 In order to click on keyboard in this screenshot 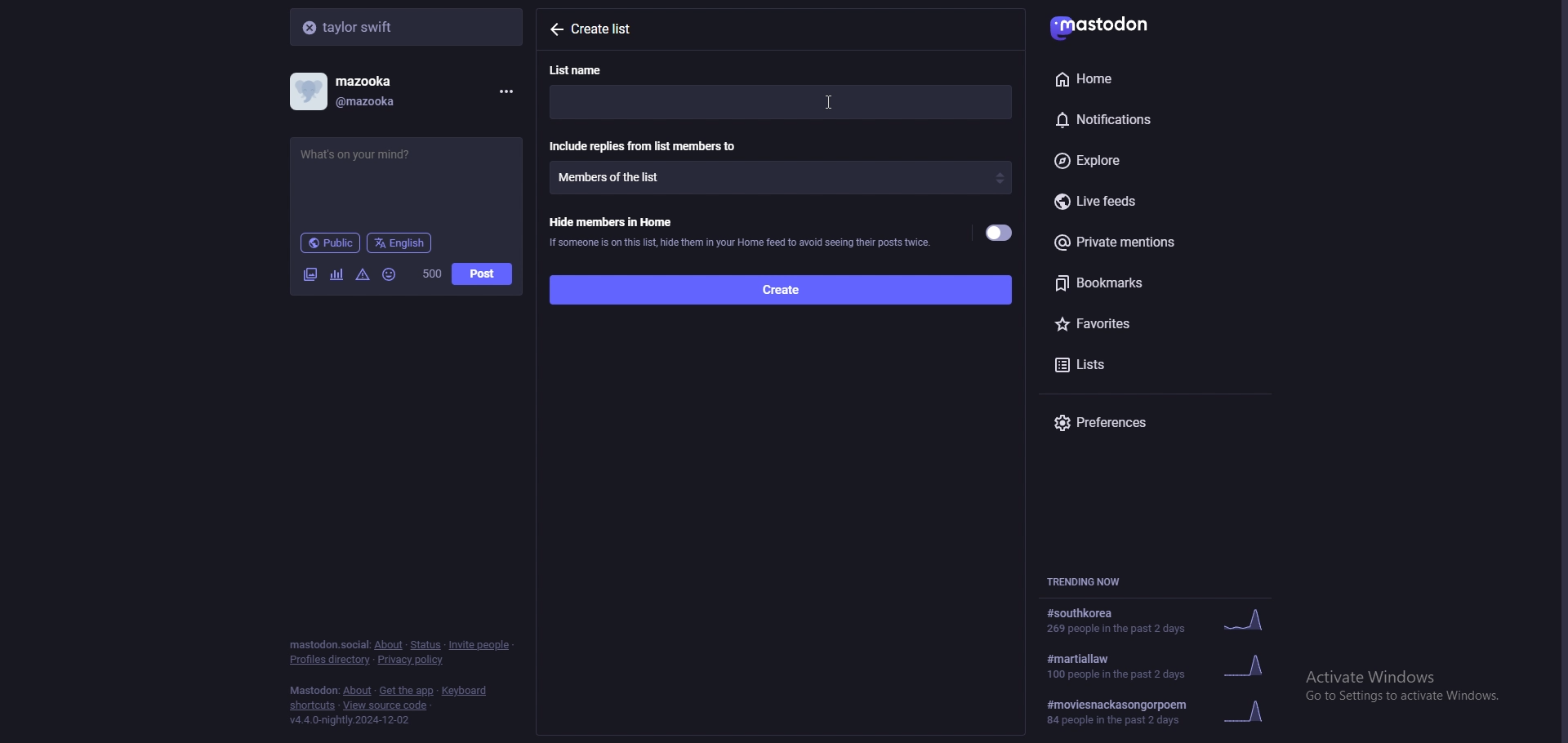, I will do `click(466, 691)`.